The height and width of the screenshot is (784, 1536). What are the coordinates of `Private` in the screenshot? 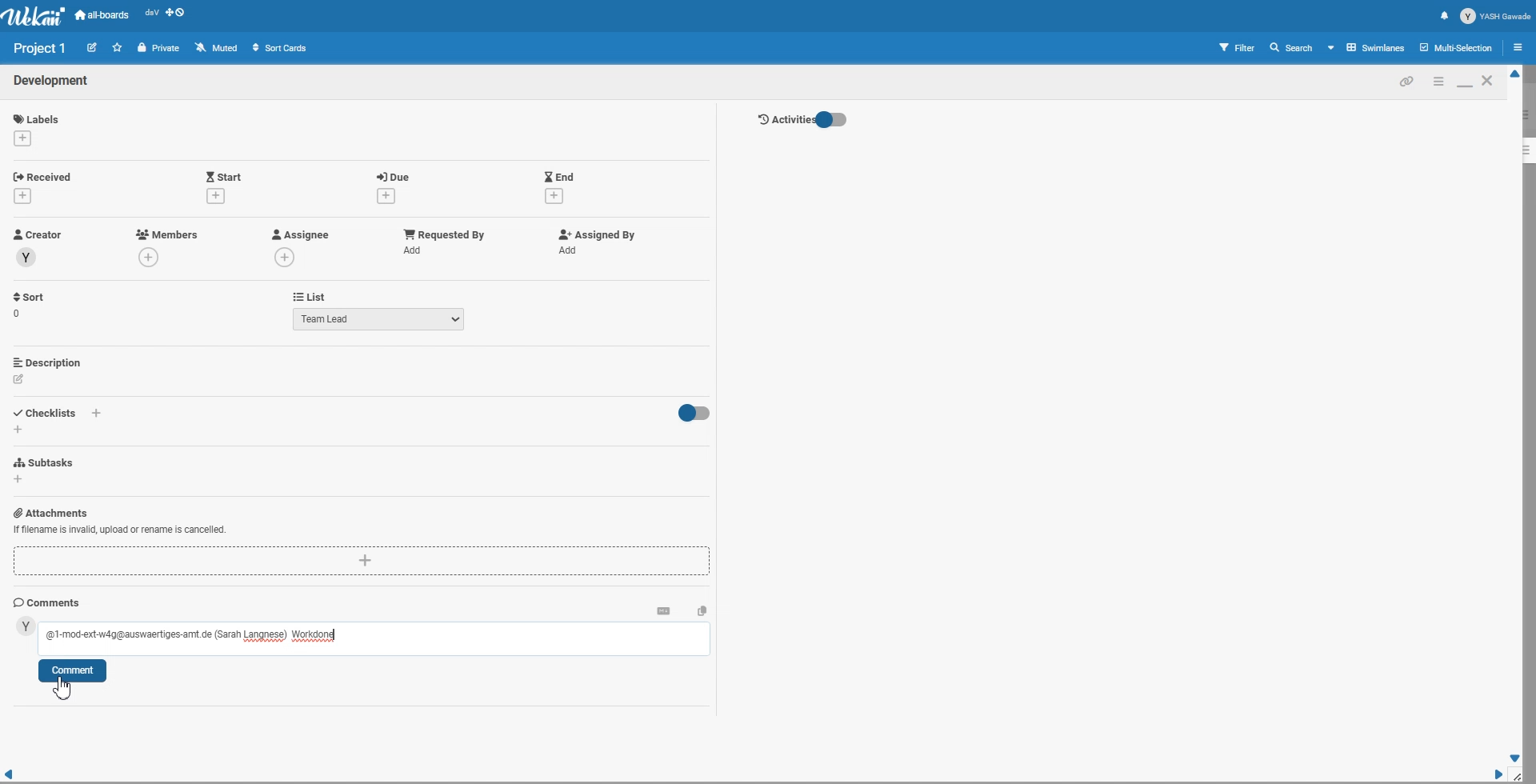 It's located at (159, 48).